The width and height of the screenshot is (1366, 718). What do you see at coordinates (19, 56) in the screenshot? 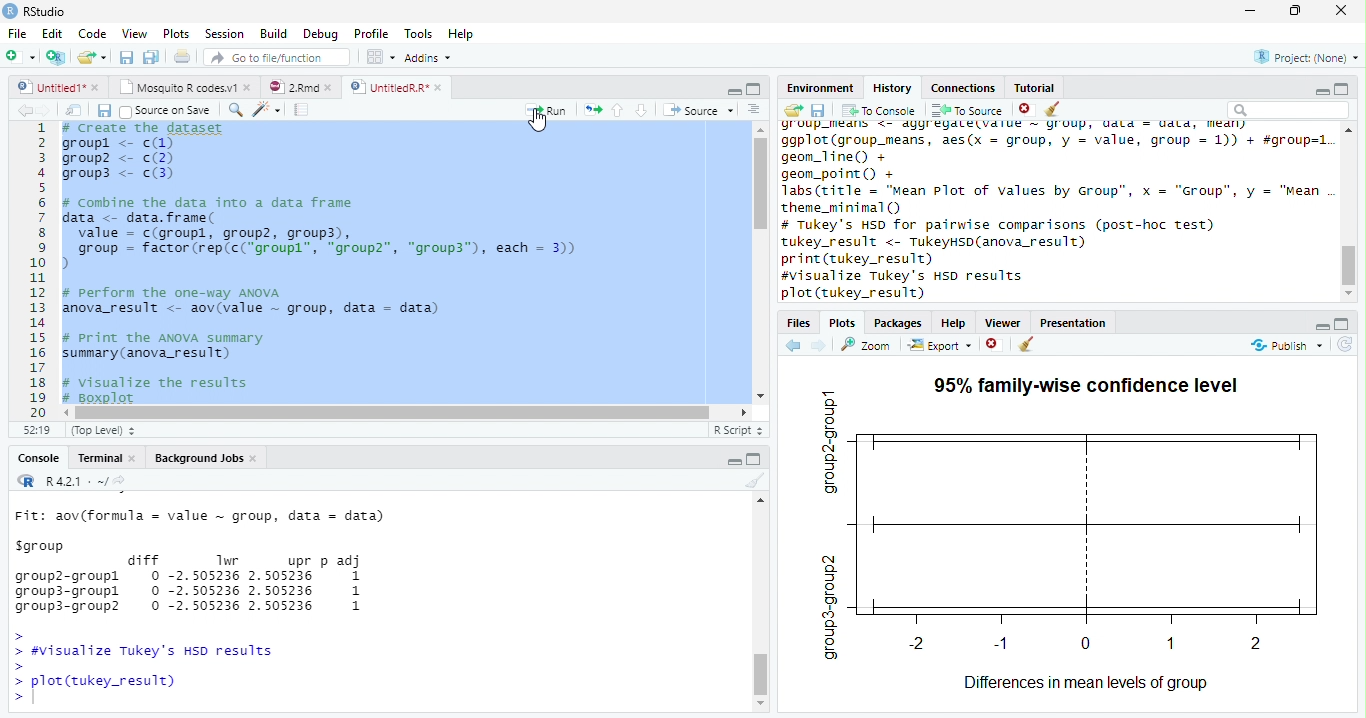
I see `New file` at bounding box center [19, 56].